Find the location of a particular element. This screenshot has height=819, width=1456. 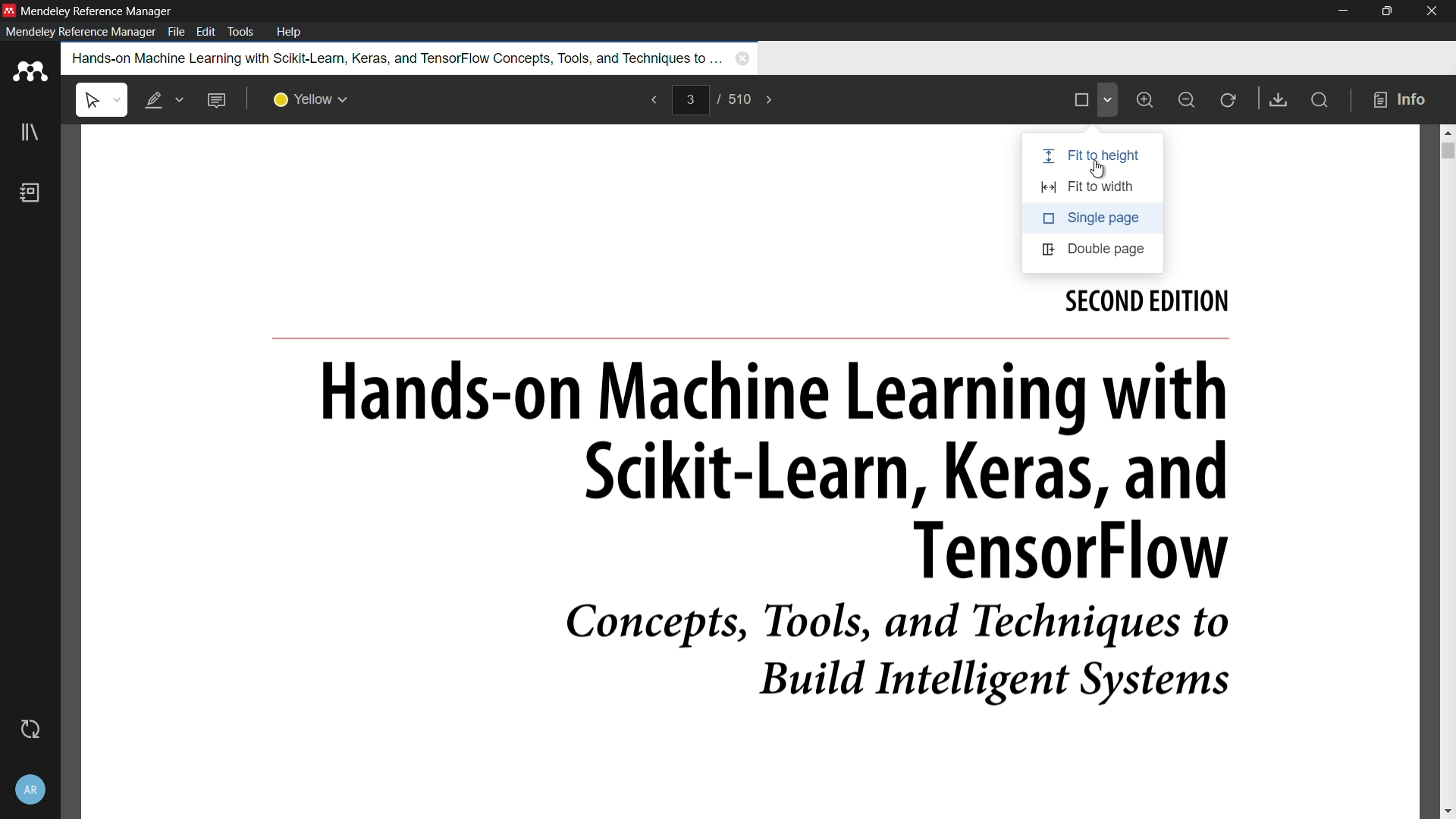

fit to width is located at coordinates (1094, 186).